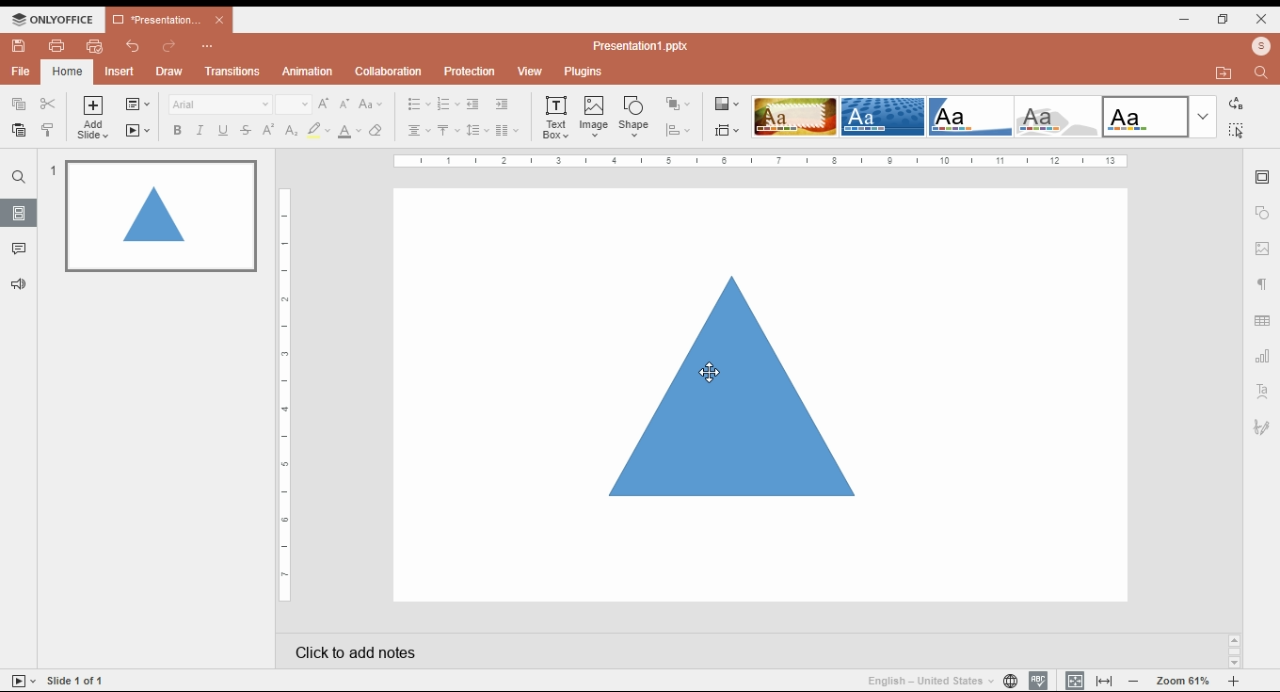 This screenshot has height=692, width=1280. What do you see at coordinates (419, 129) in the screenshot?
I see `horizontal alignments` at bounding box center [419, 129].